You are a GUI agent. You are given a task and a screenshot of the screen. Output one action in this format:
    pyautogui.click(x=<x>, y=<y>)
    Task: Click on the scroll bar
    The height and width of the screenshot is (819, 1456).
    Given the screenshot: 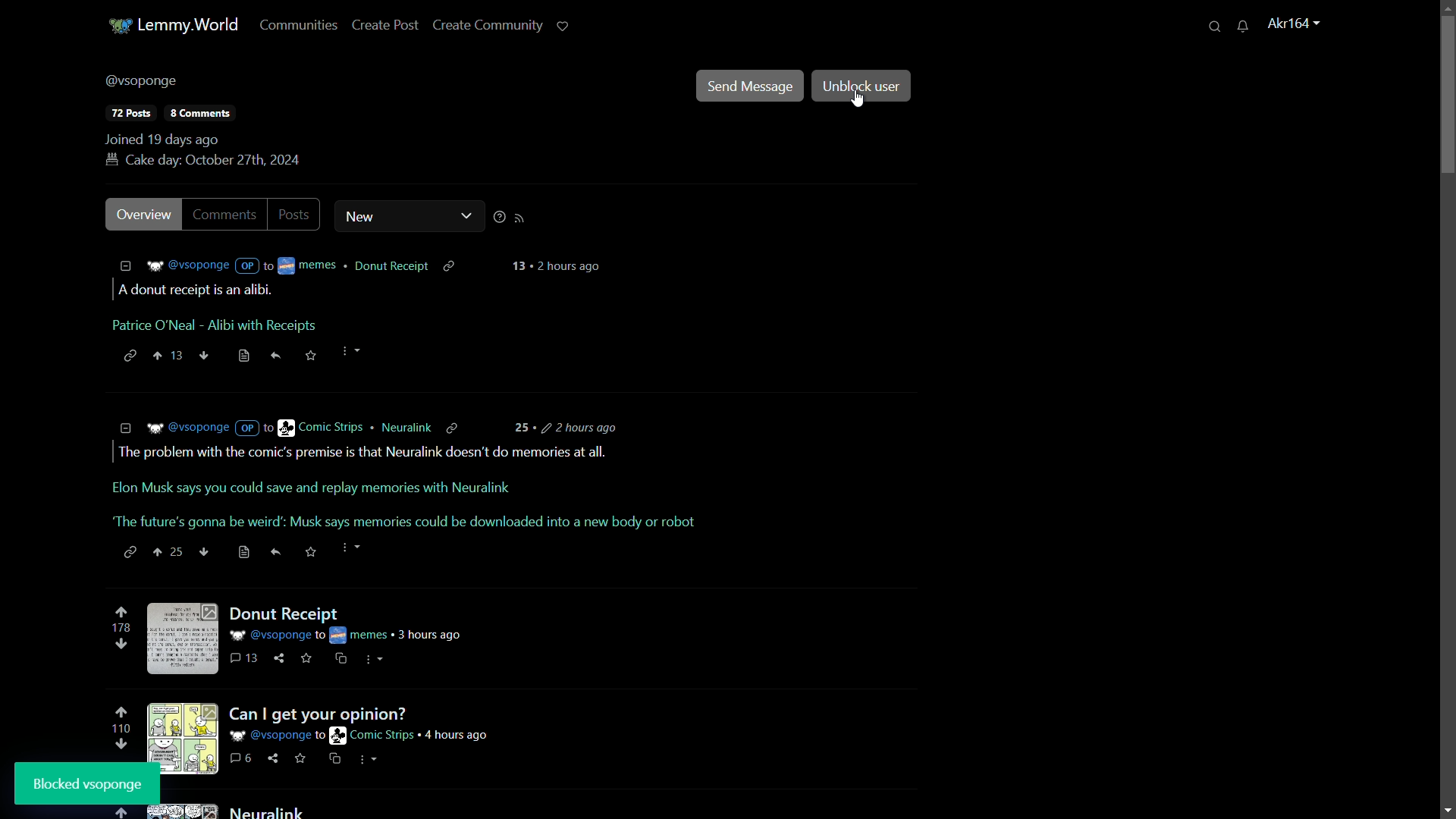 What is the action you would take?
    pyautogui.click(x=1448, y=93)
    